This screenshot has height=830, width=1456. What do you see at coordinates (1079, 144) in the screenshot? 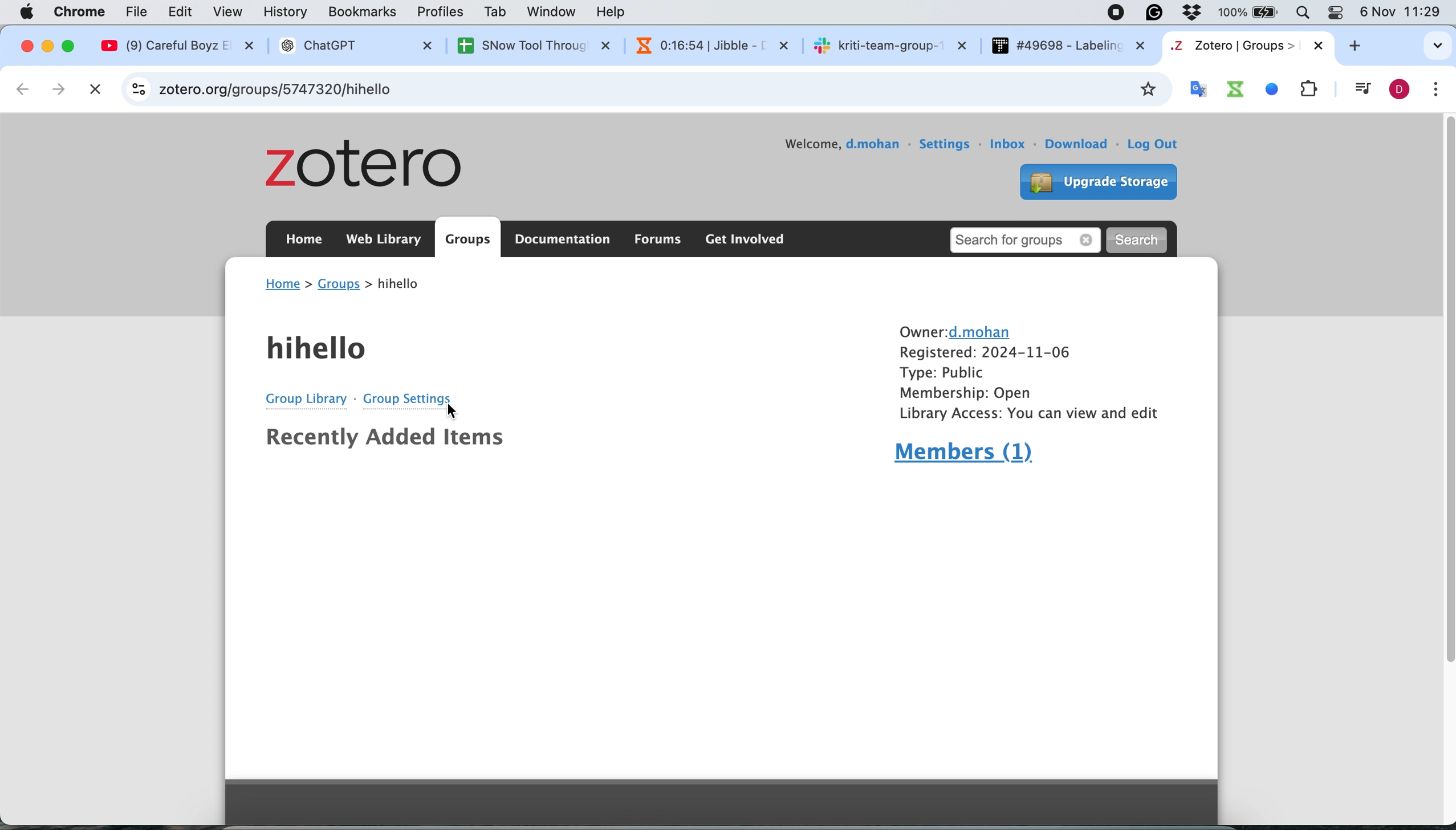
I see `download` at bounding box center [1079, 144].